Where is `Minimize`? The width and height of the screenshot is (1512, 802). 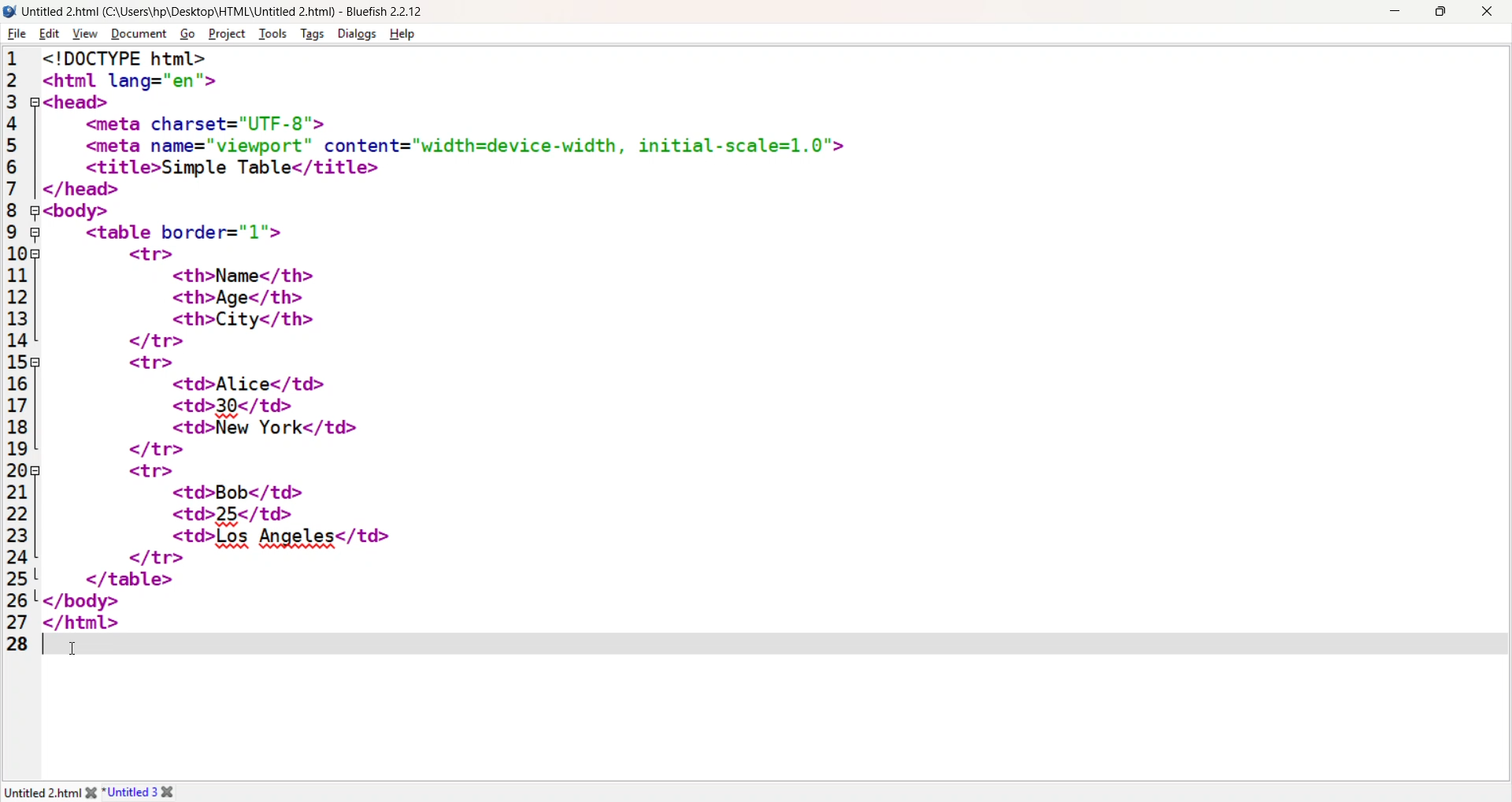 Minimize is located at coordinates (1394, 10).